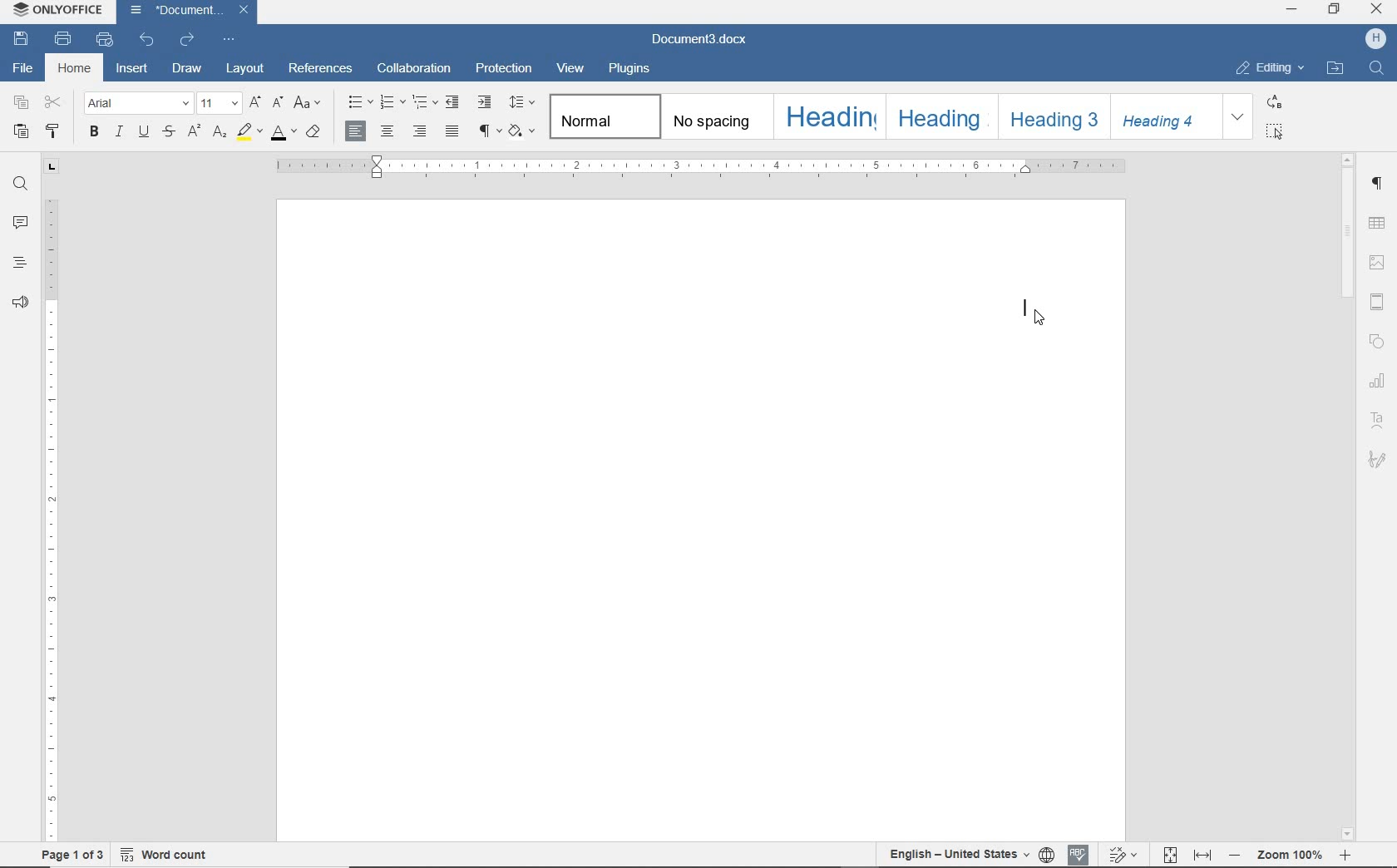  Describe the element at coordinates (1380, 382) in the screenshot. I see `CHART` at that location.